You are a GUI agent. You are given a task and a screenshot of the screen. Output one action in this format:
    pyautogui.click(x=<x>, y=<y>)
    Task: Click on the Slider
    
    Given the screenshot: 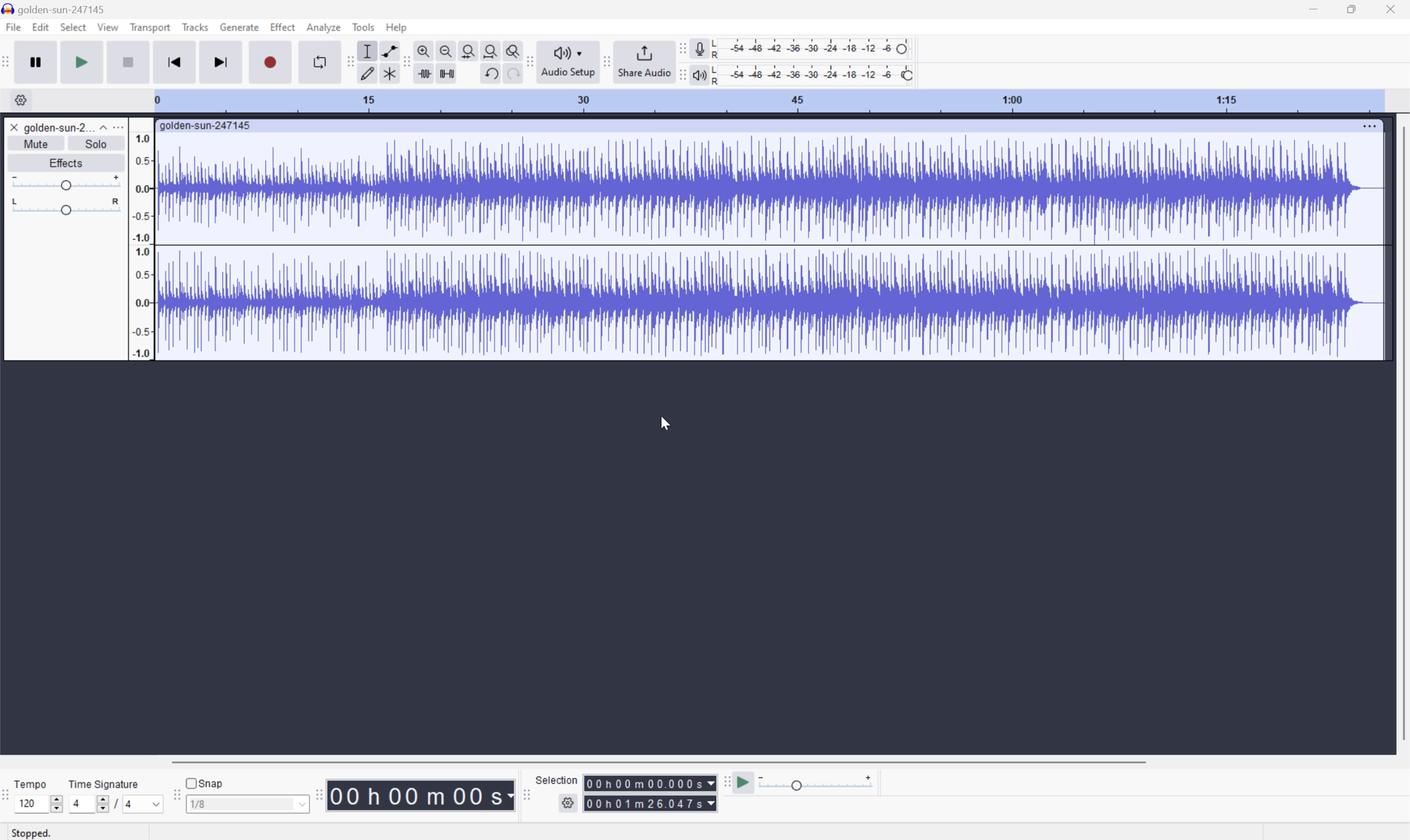 What is the action you would take?
    pyautogui.click(x=66, y=183)
    